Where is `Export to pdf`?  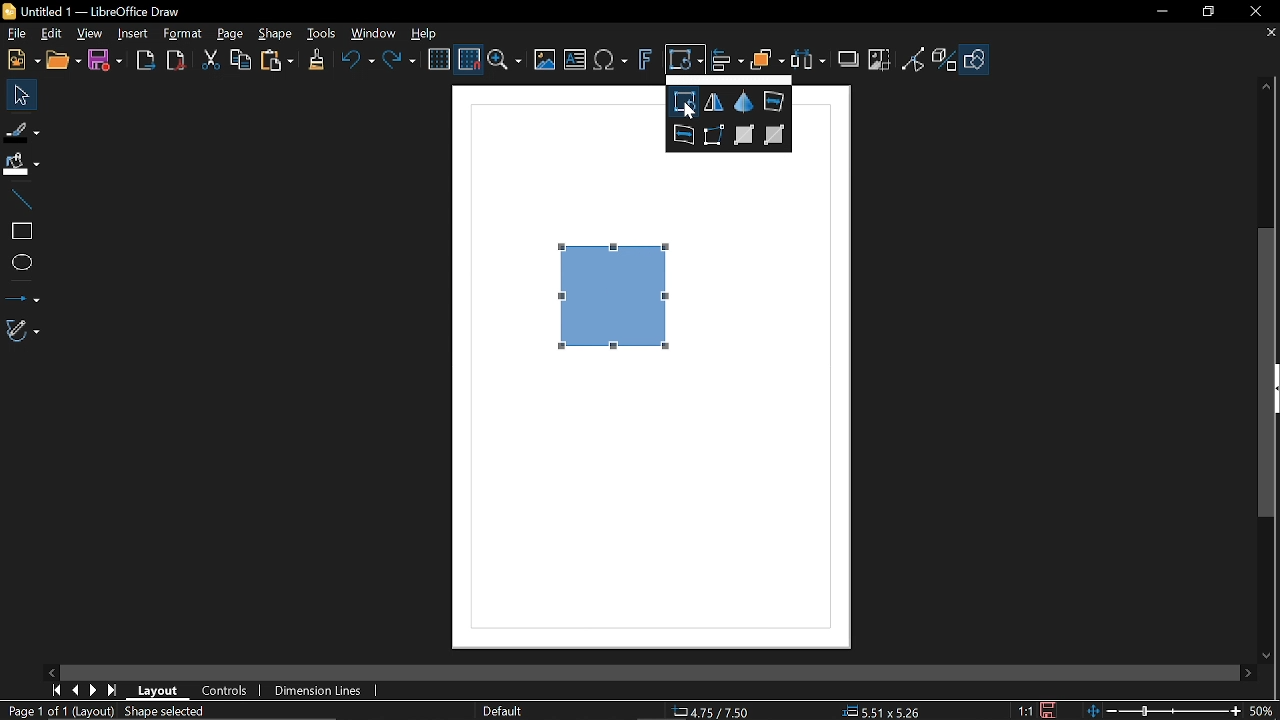 Export to pdf is located at coordinates (174, 60).